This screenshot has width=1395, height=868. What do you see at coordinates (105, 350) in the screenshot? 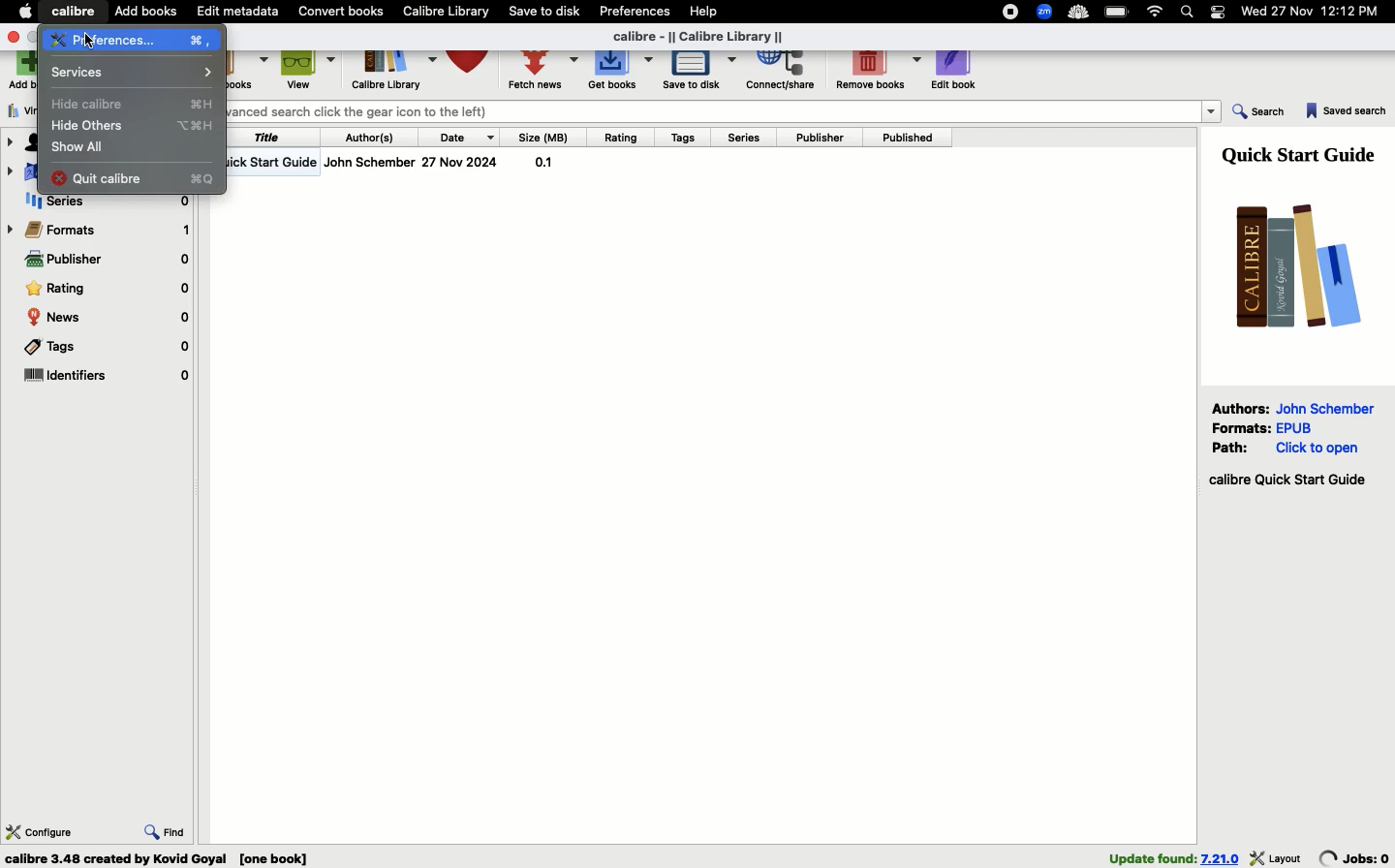
I see `Tags` at bounding box center [105, 350].